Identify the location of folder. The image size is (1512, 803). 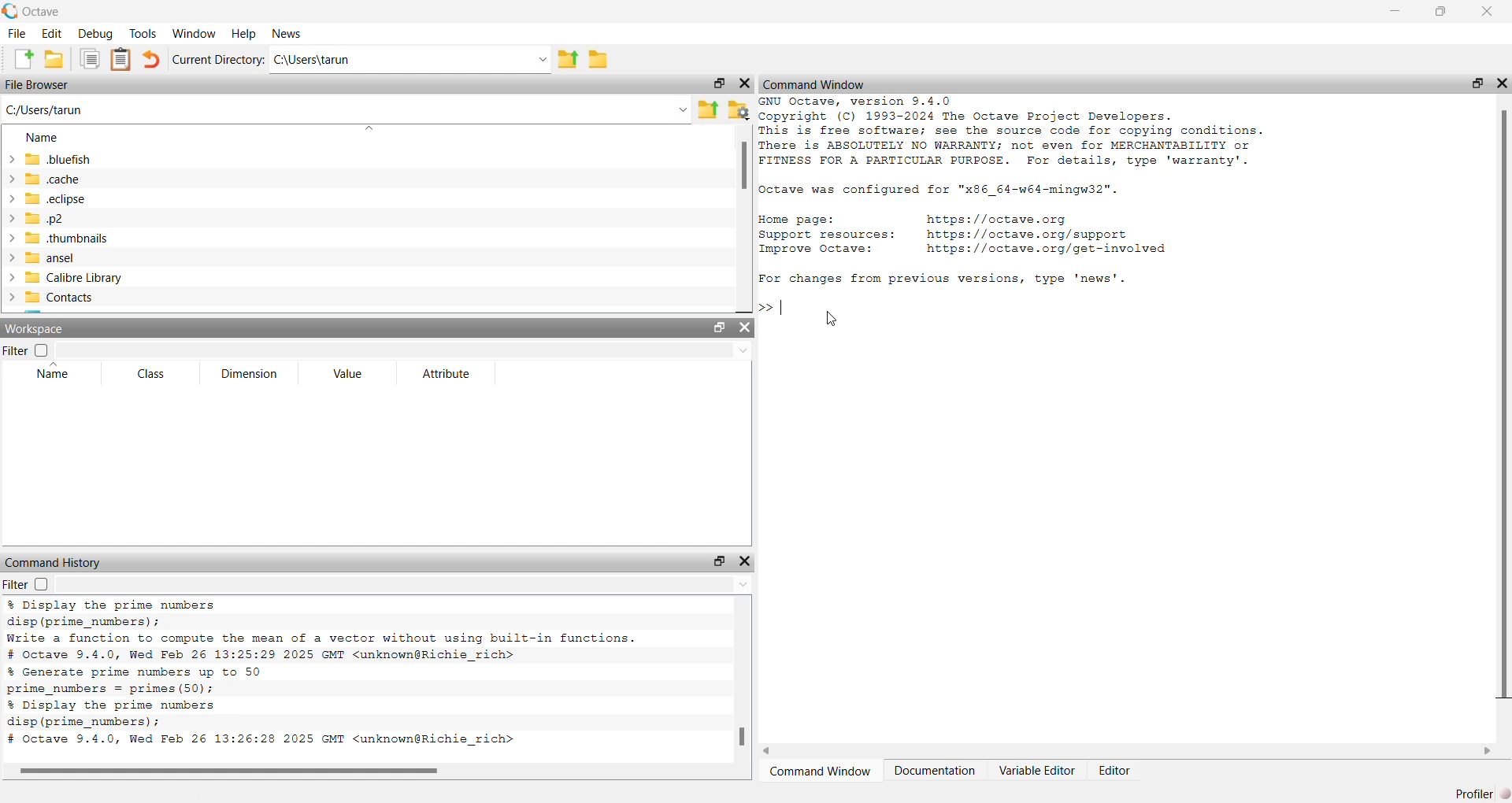
(598, 61).